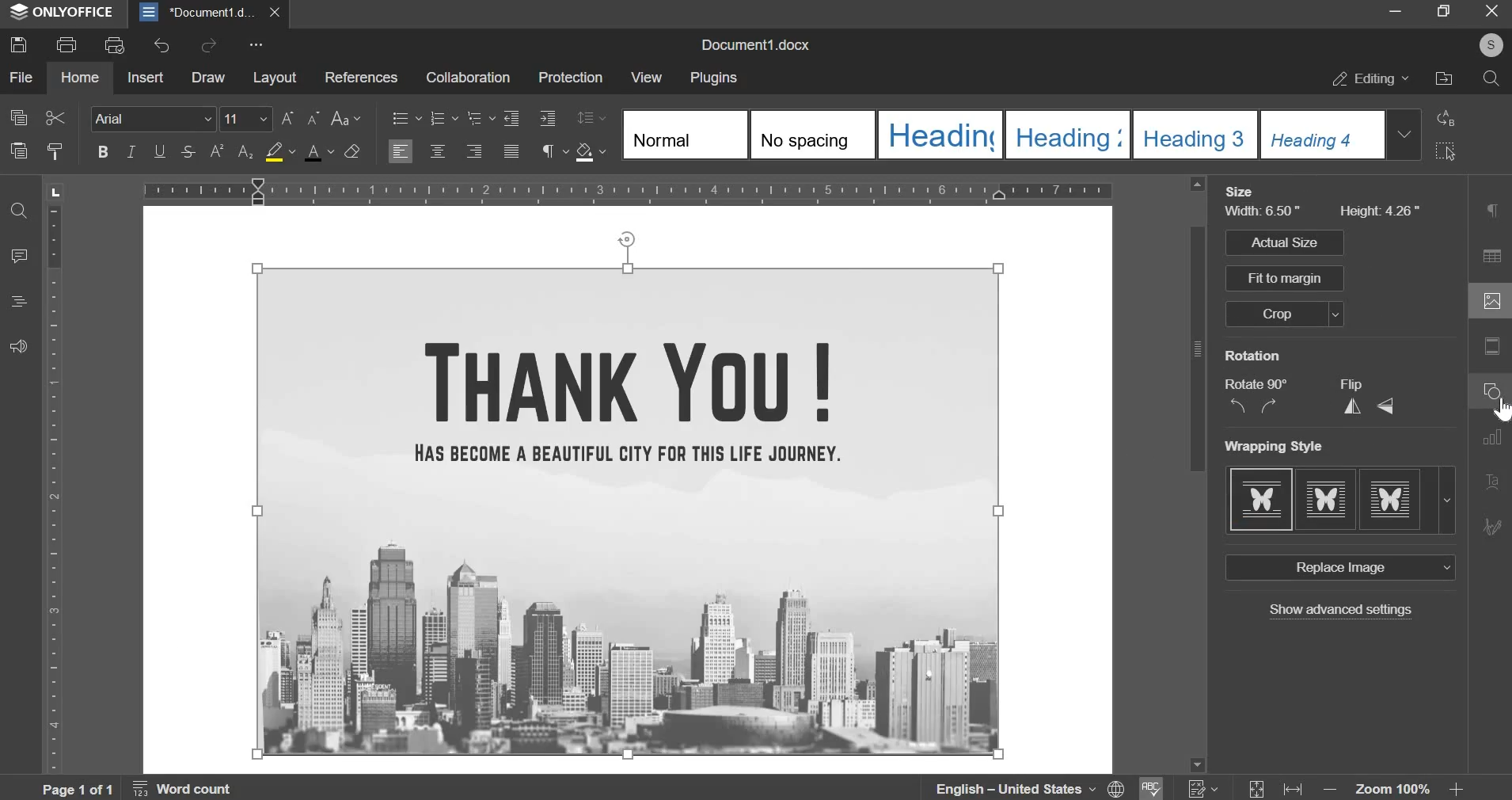 This screenshot has height=800, width=1512. What do you see at coordinates (1266, 213) in the screenshot?
I see `Width: 6.50"` at bounding box center [1266, 213].